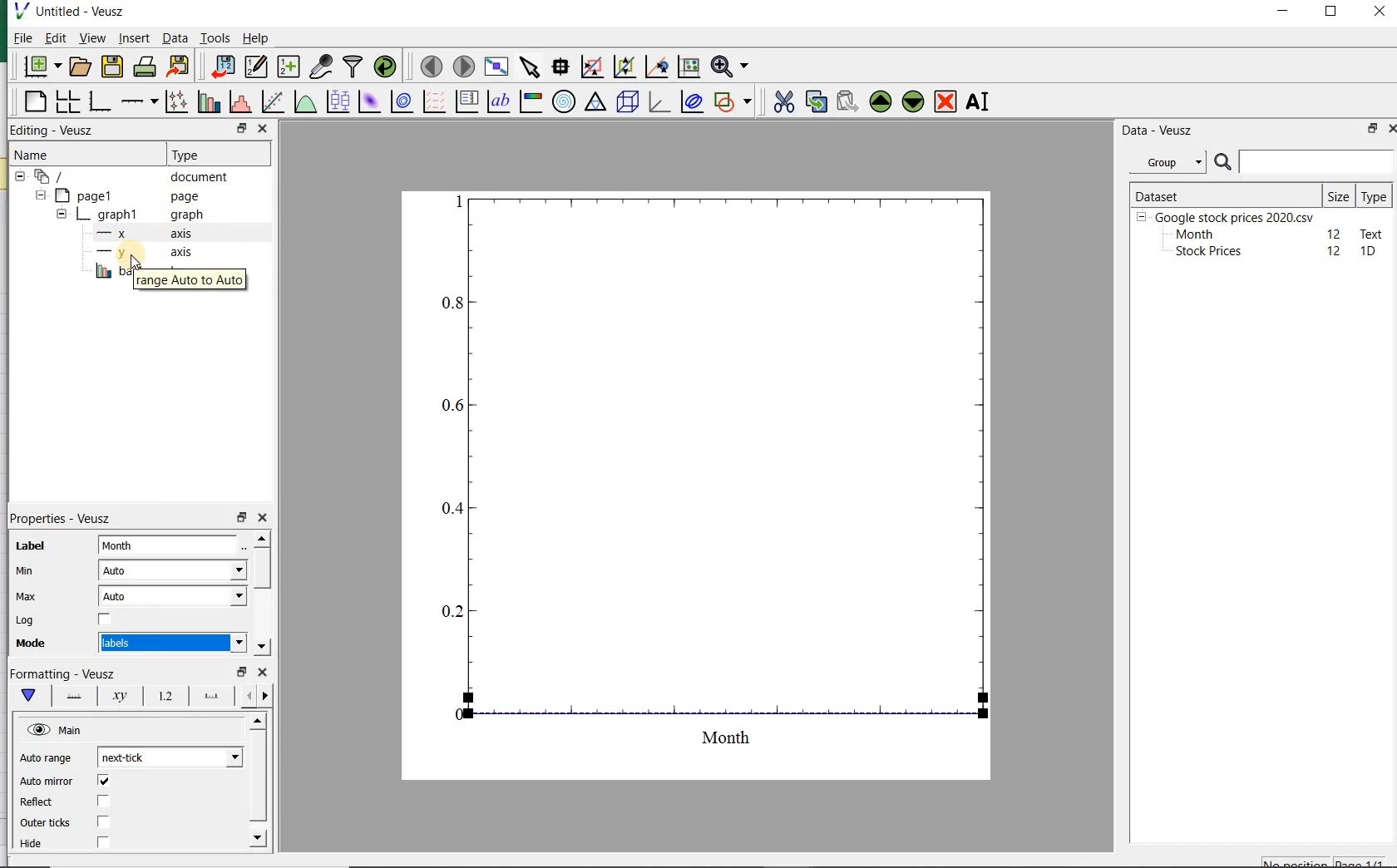 This screenshot has width=1397, height=868. Describe the element at coordinates (1369, 233) in the screenshot. I see `text` at that location.